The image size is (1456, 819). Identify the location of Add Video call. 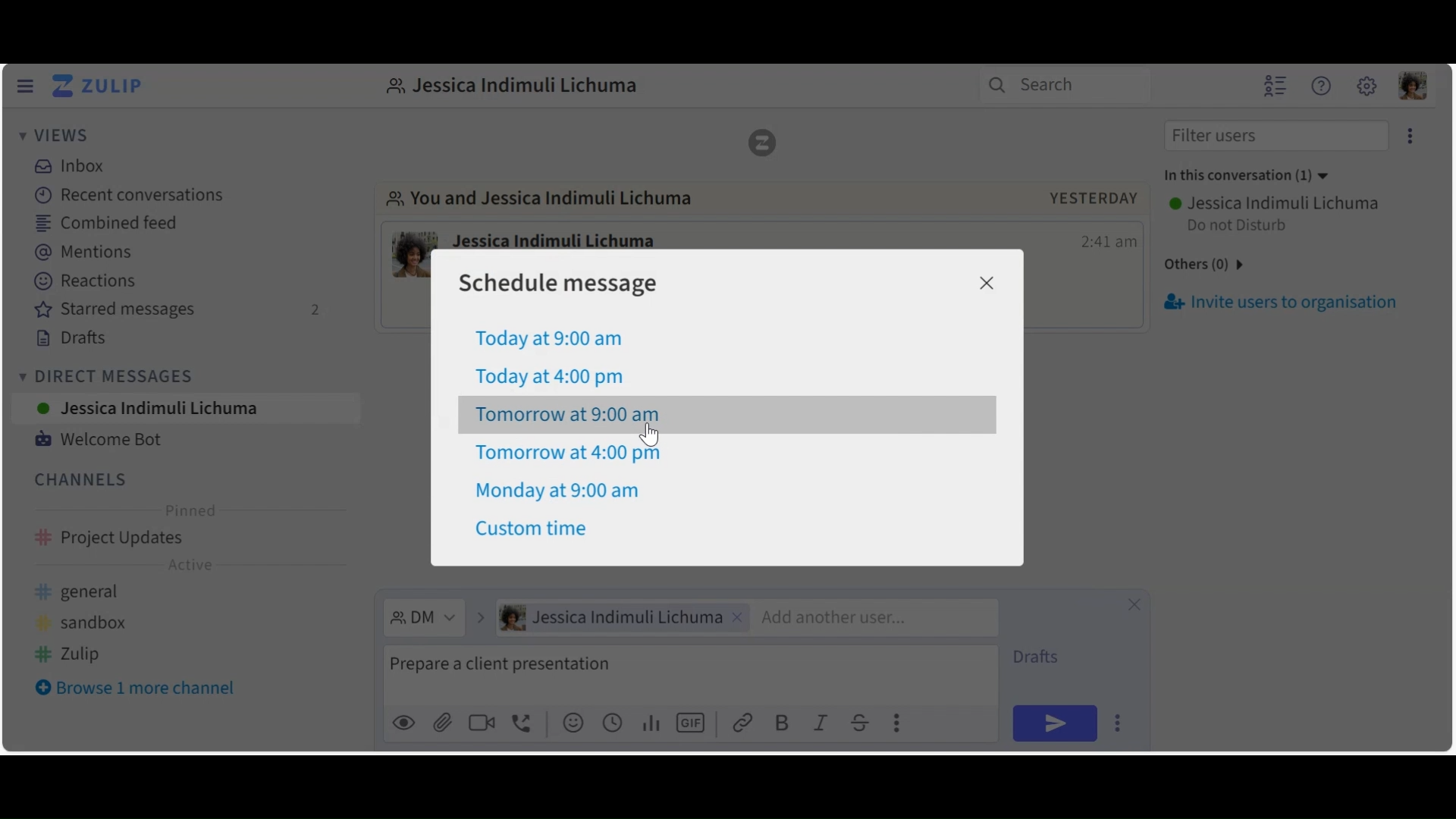
(485, 723).